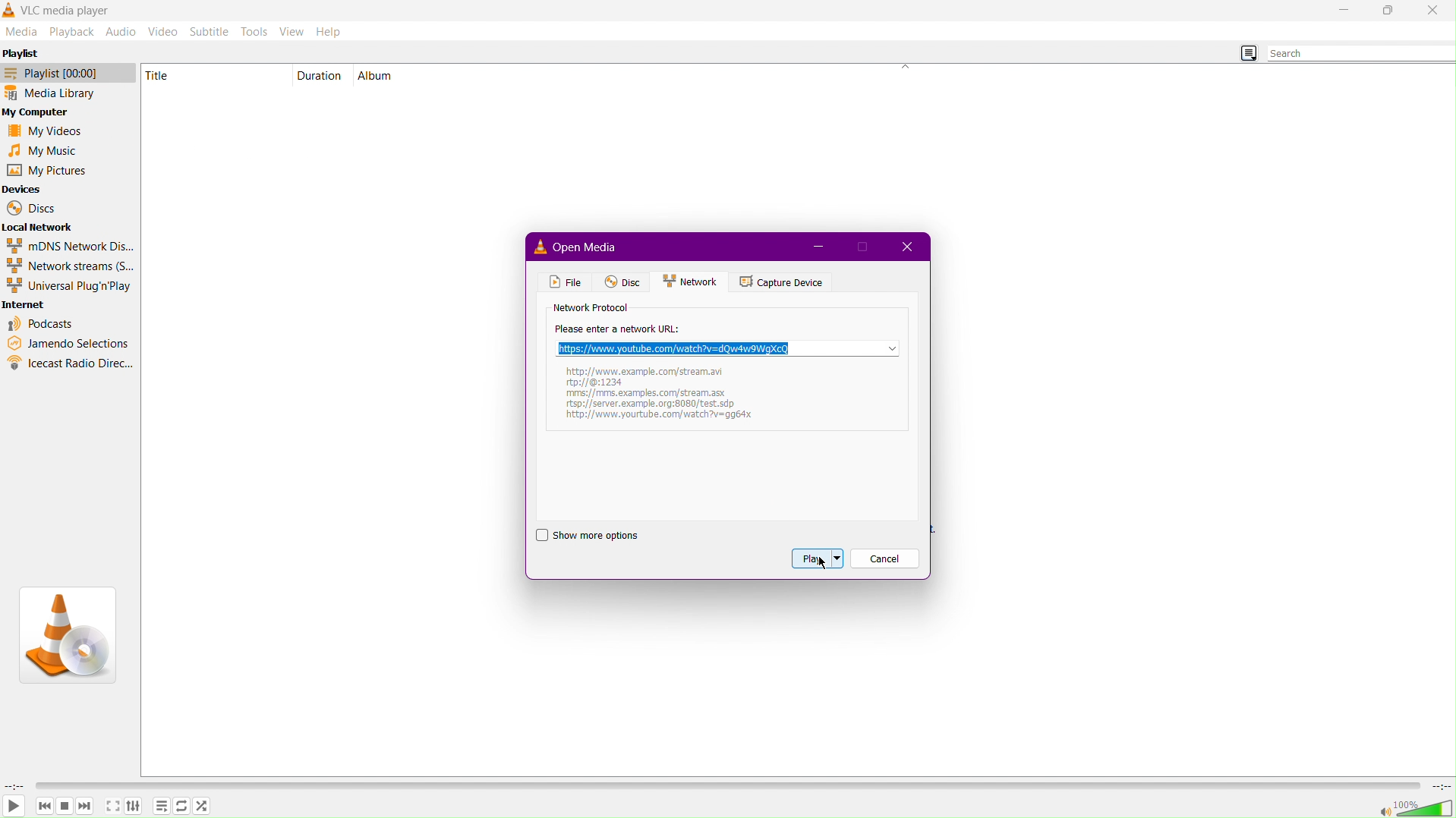 The height and width of the screenshot is (818, 1456). I want to click on My Pictures, so click(46, 171).